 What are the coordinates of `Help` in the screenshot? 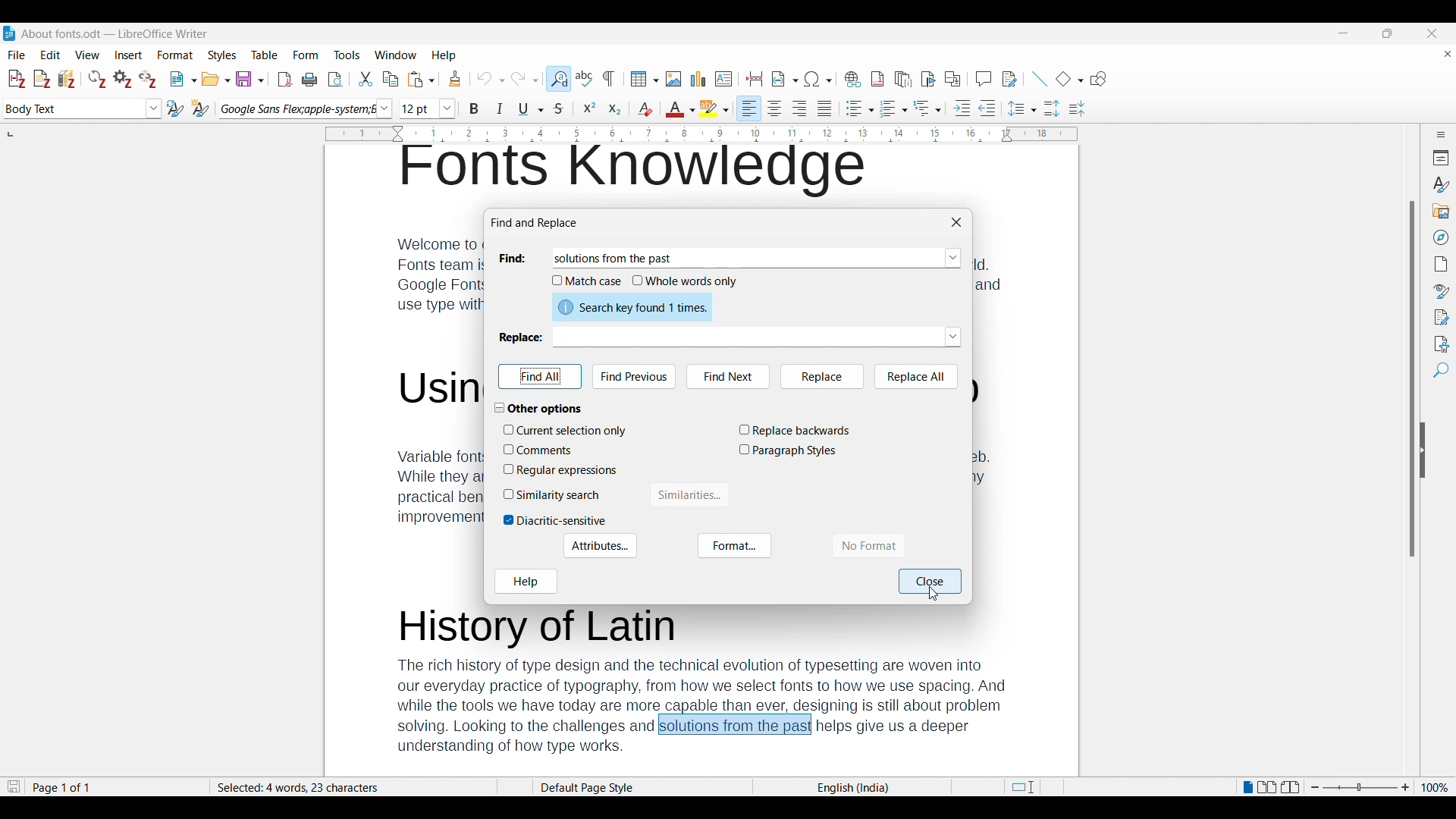 It's located at (526, 582).